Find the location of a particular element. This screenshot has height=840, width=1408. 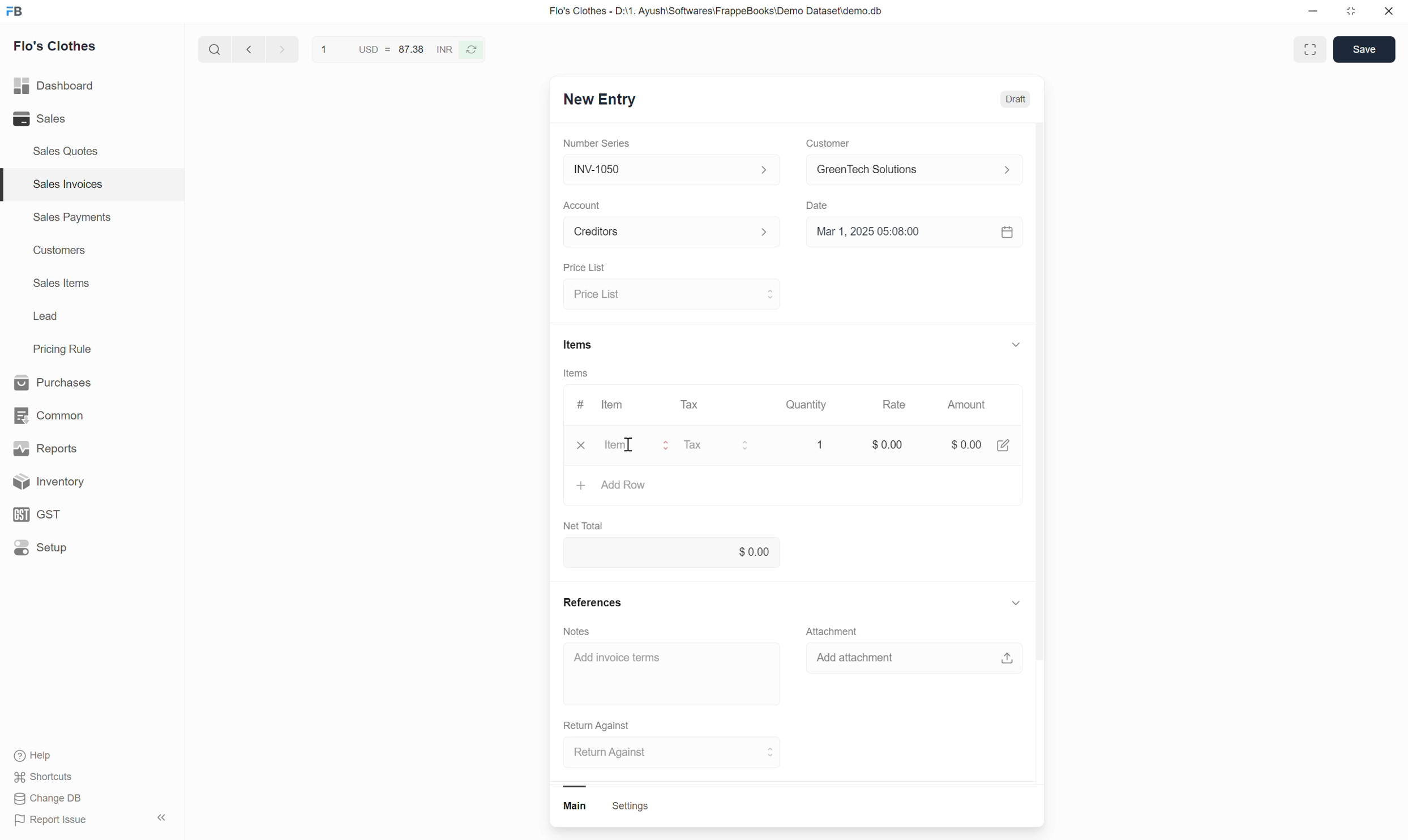

full screen is located at coordinates (1312, 49).